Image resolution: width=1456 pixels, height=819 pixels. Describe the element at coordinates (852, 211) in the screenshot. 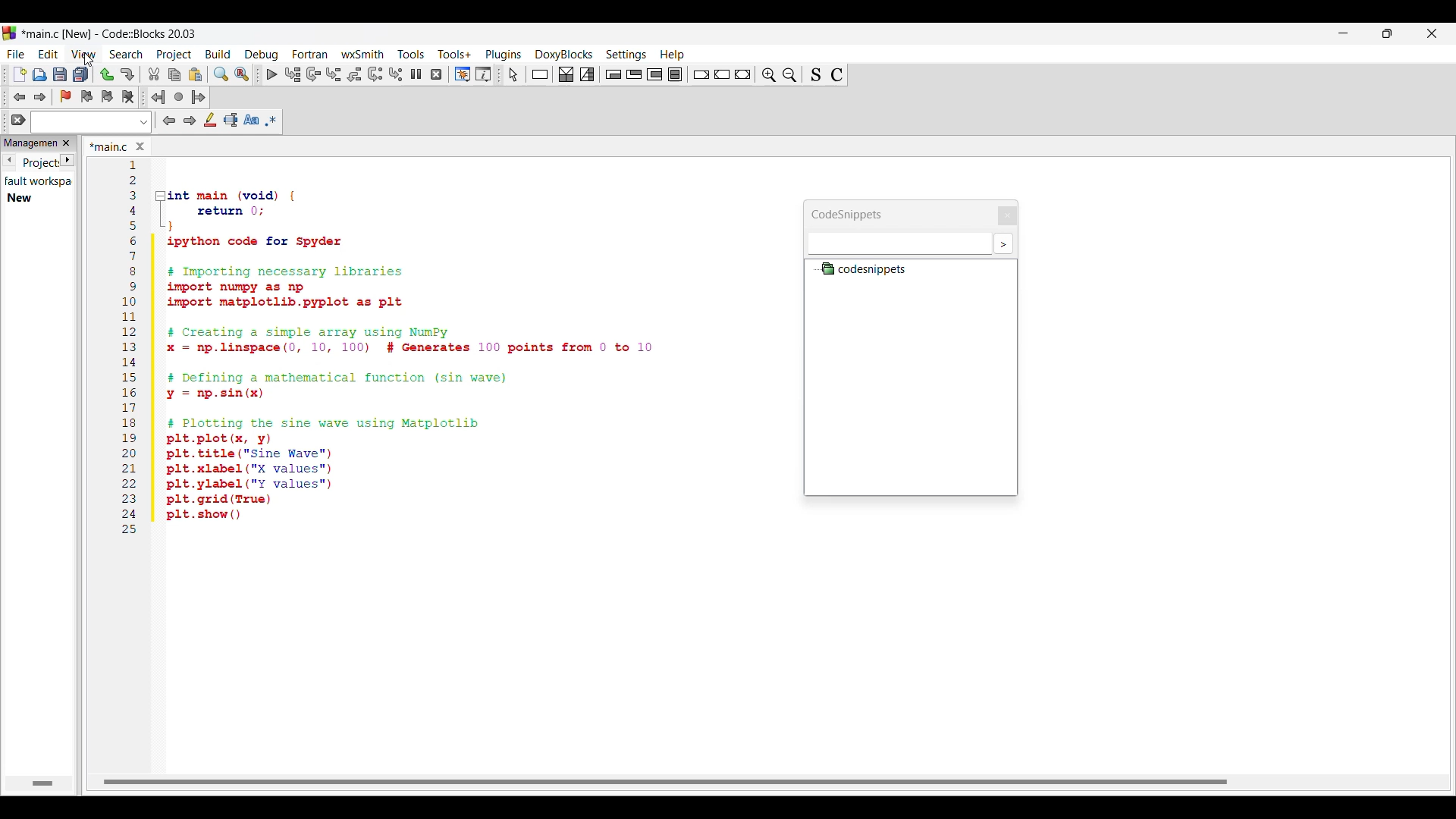

I see `Panel title` at that location.